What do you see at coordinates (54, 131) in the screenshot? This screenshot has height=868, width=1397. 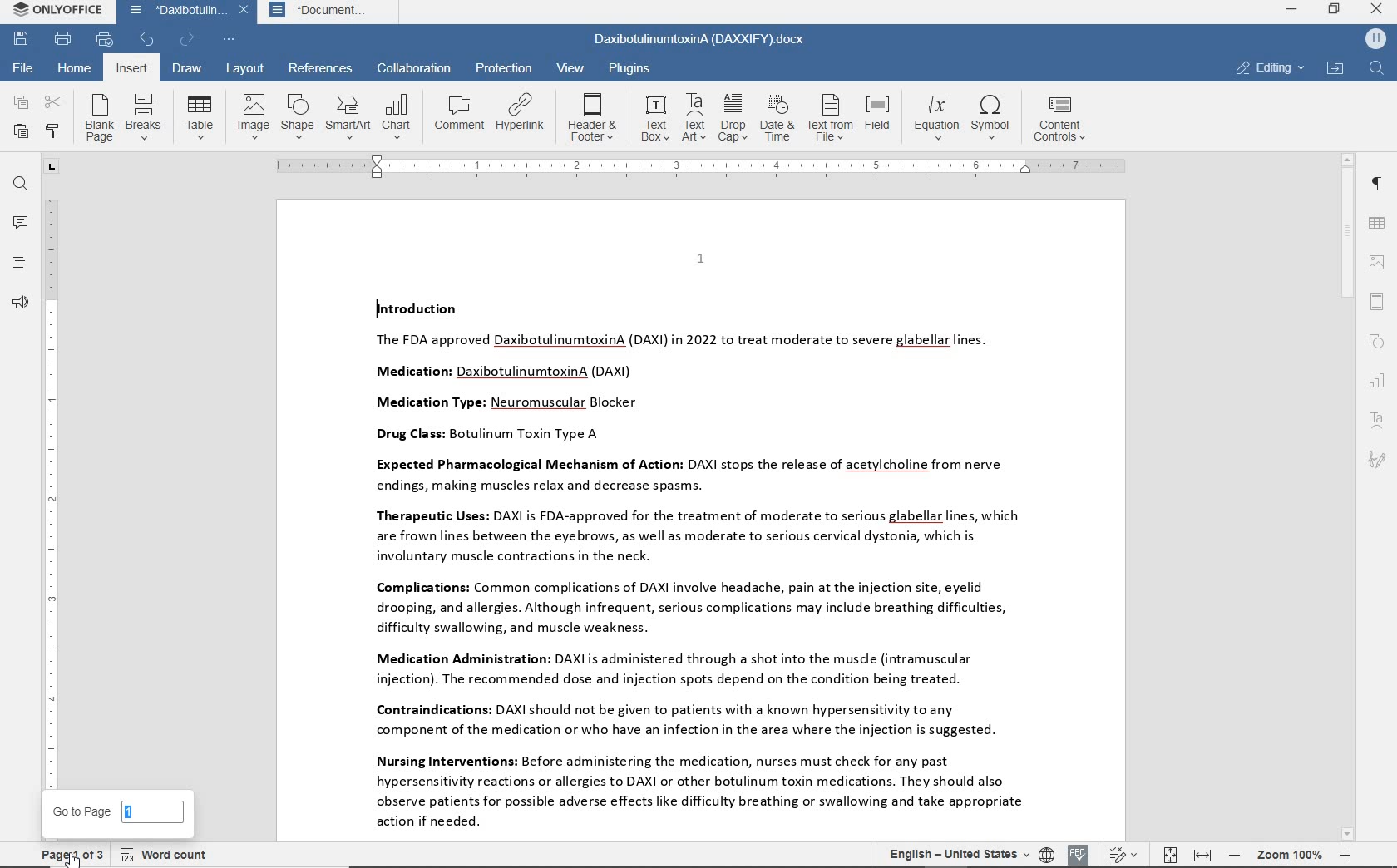 I see `copy style` at bounding box center [54, 131].